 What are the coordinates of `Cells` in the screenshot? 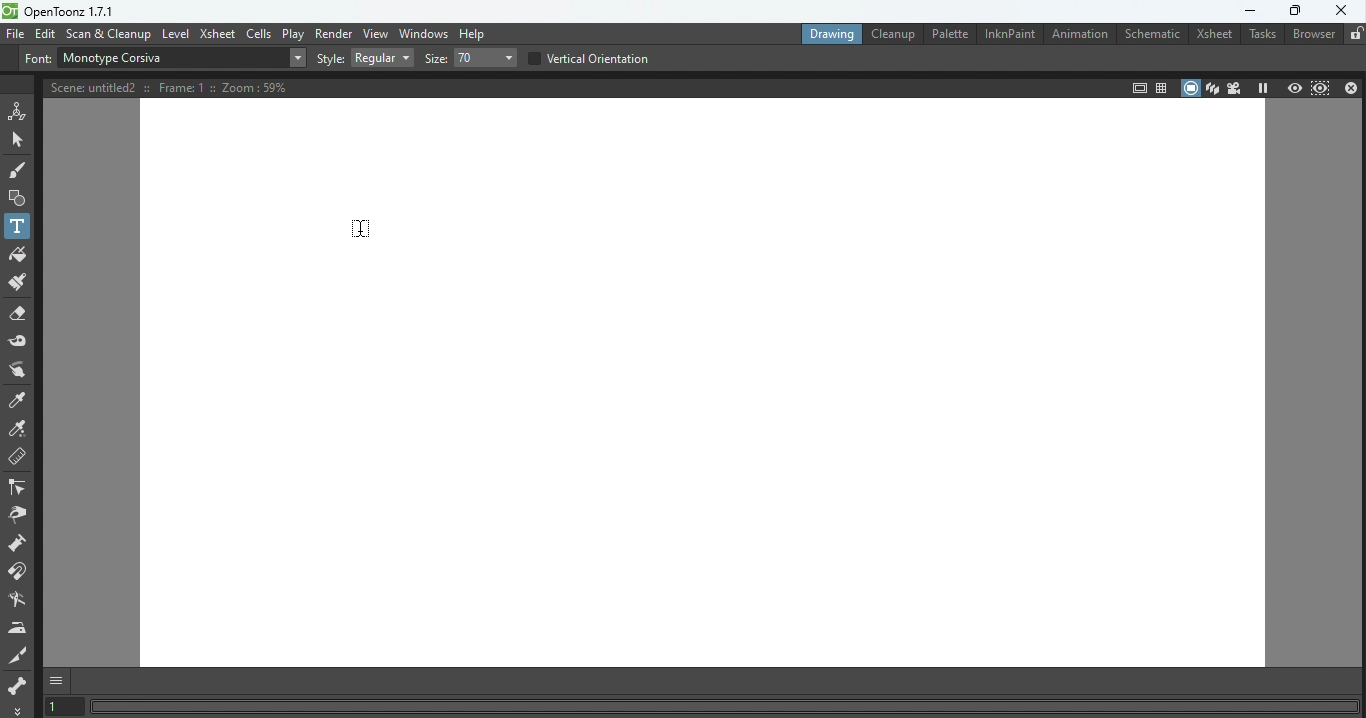 It's located at (261, 33).